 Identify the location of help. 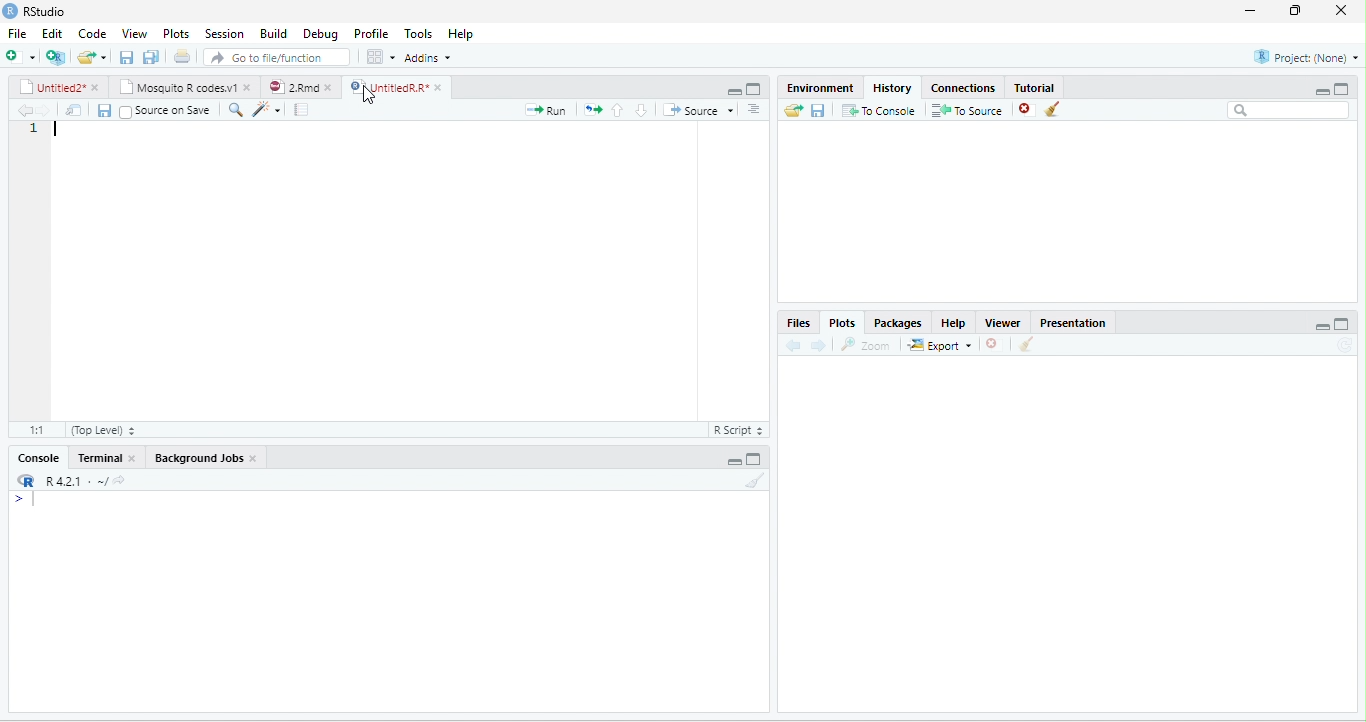
(468, 34).